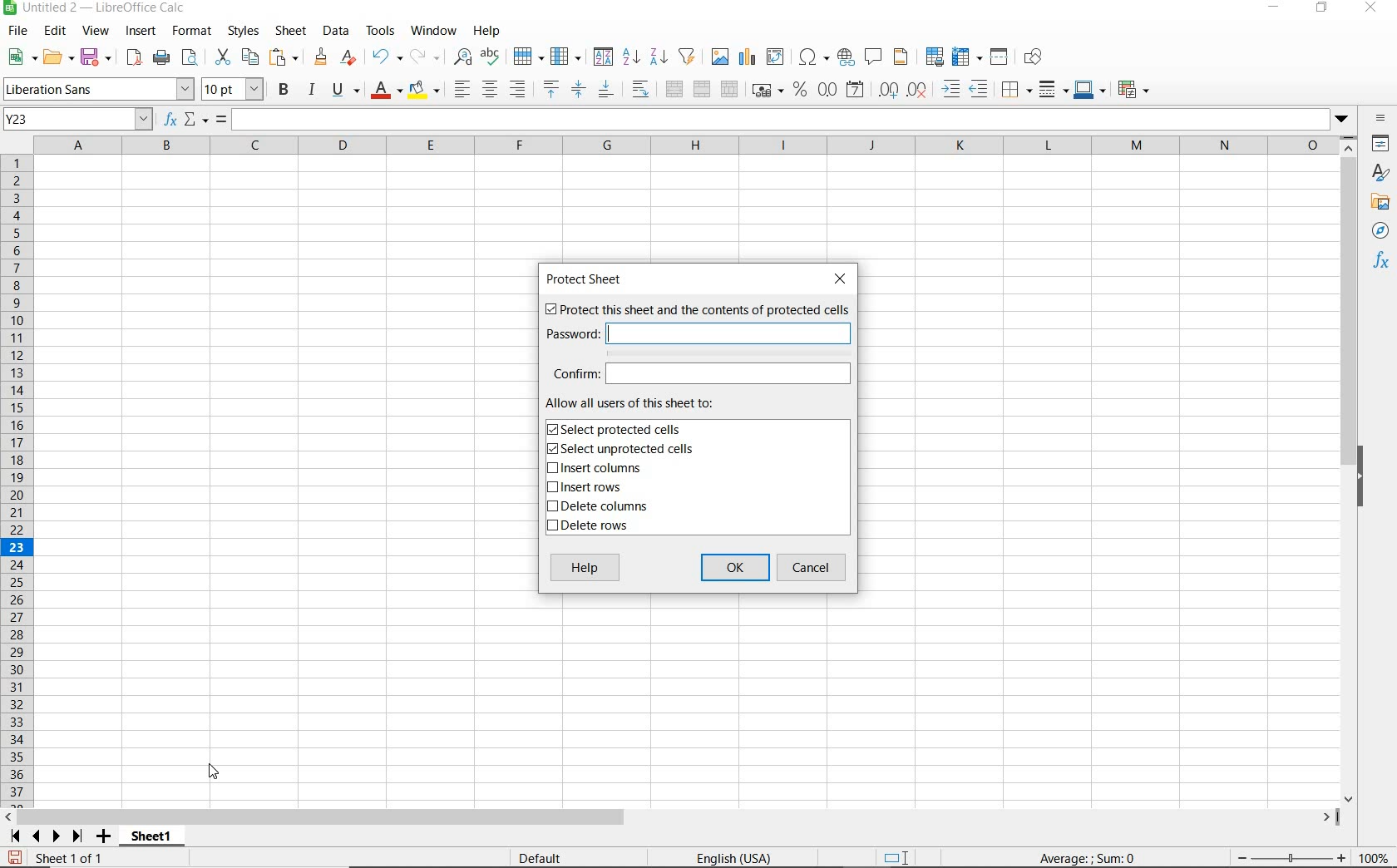  What do you see at coordinates (594, 470) in the screenshot?
I see `INSERT COLUMNS` at bounding box center [594, 470].